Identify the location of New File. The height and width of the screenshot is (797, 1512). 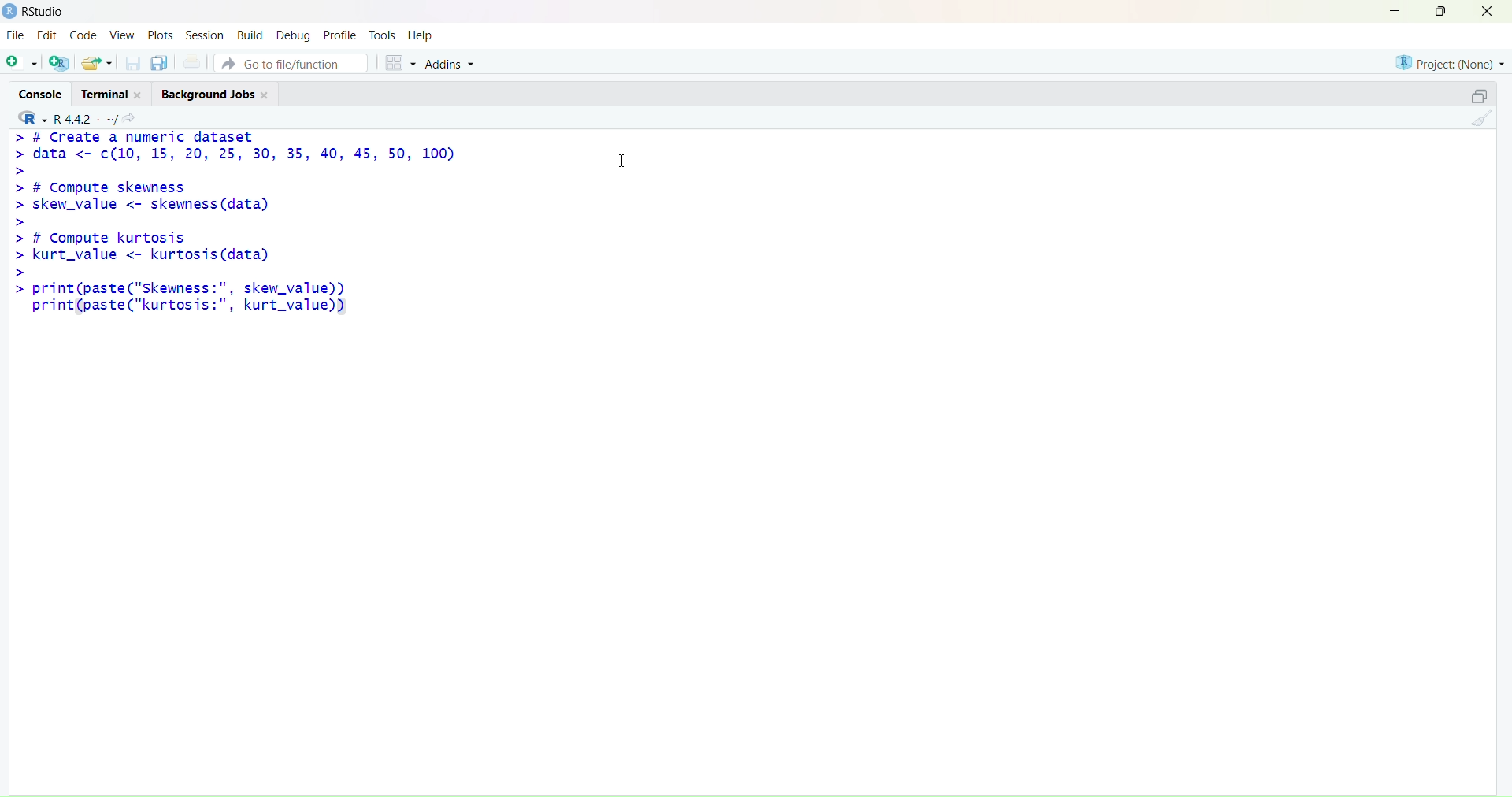
(20, 62).